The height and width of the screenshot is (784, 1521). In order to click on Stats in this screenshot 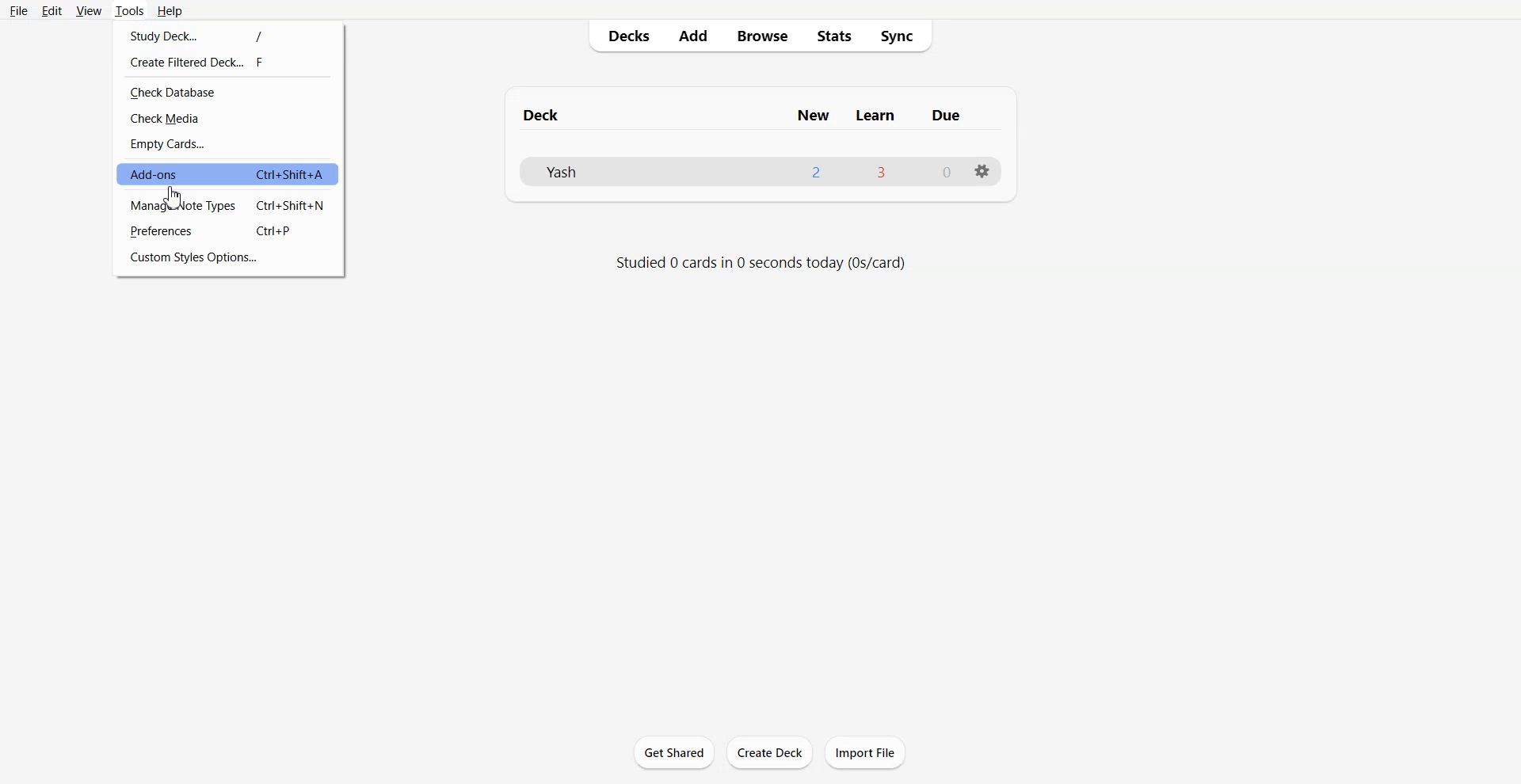, I will do `click(834, 36)`.